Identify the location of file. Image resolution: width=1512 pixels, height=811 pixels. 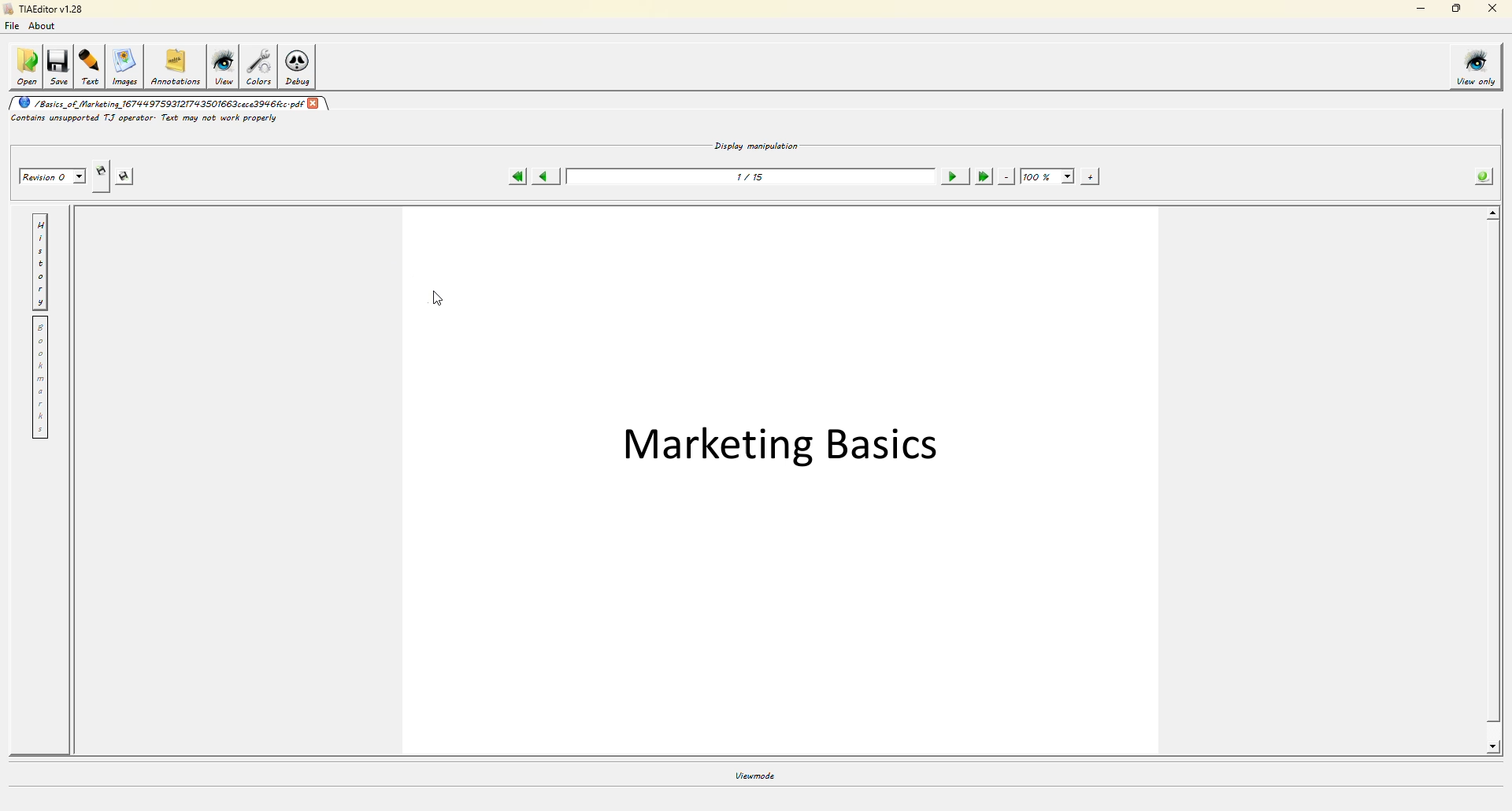
(13, 26).